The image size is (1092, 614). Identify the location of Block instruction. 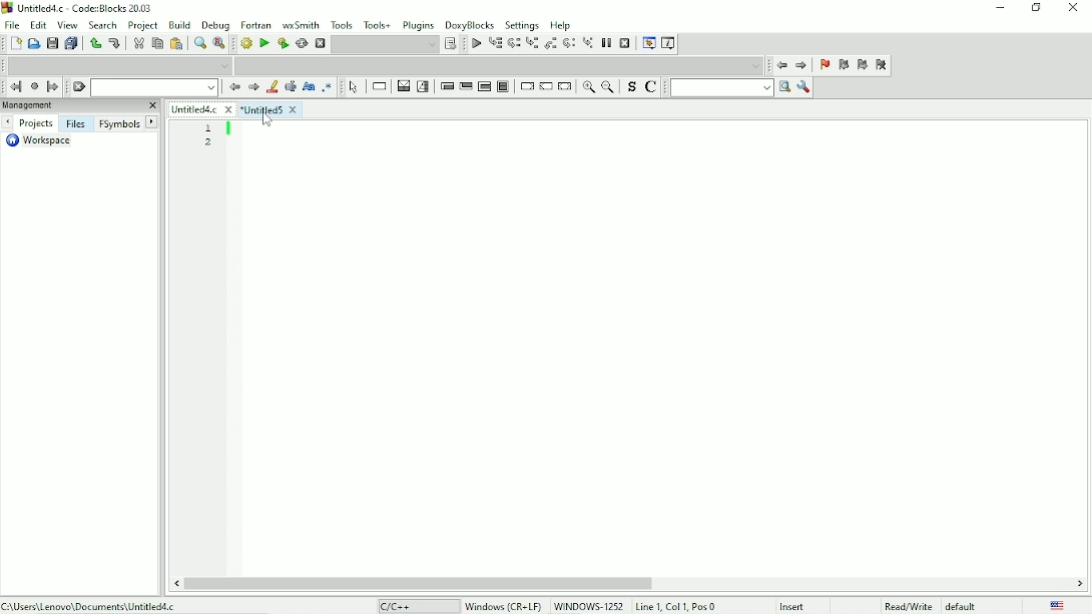
(502, 86).